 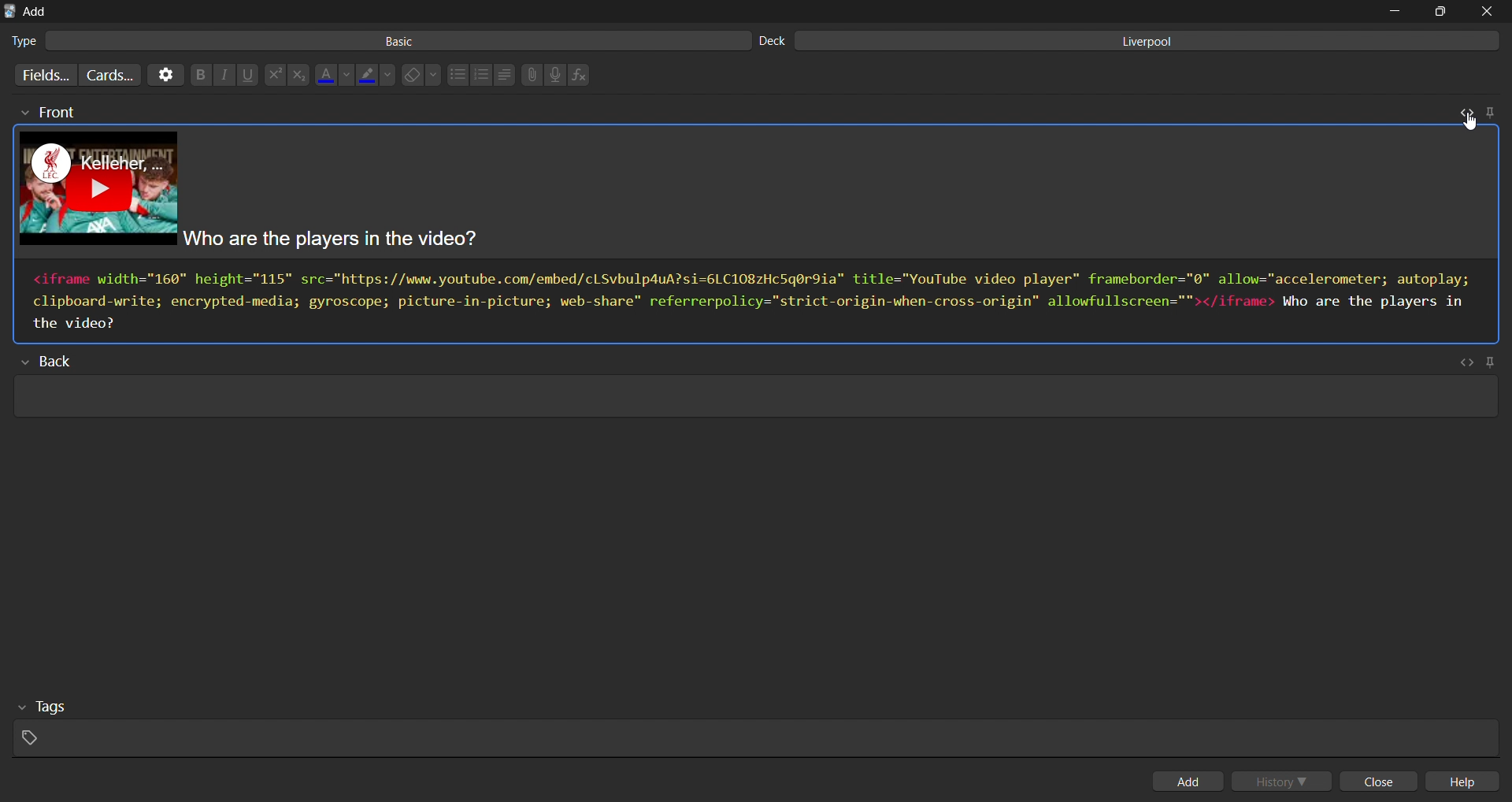 I want to click on erase formatting, so click(x=424, y=75).